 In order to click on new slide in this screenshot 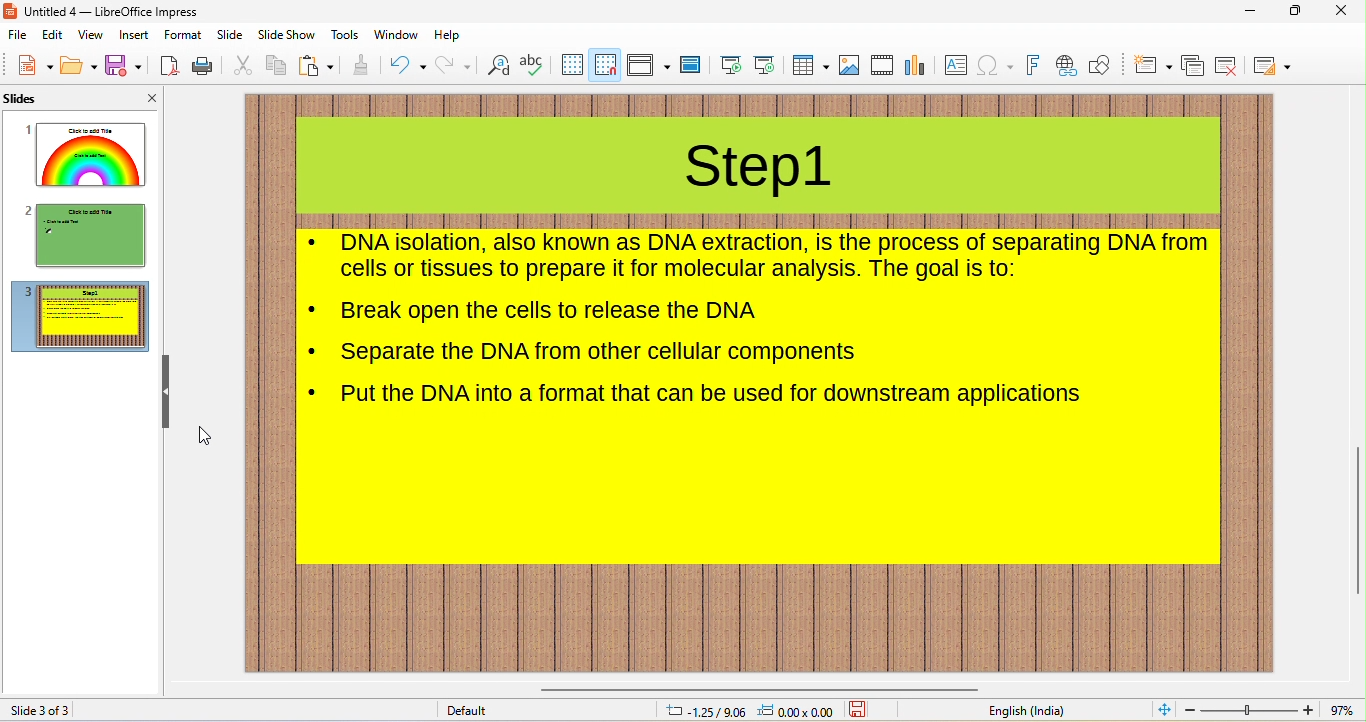, I will do `click(1152, 65)`.